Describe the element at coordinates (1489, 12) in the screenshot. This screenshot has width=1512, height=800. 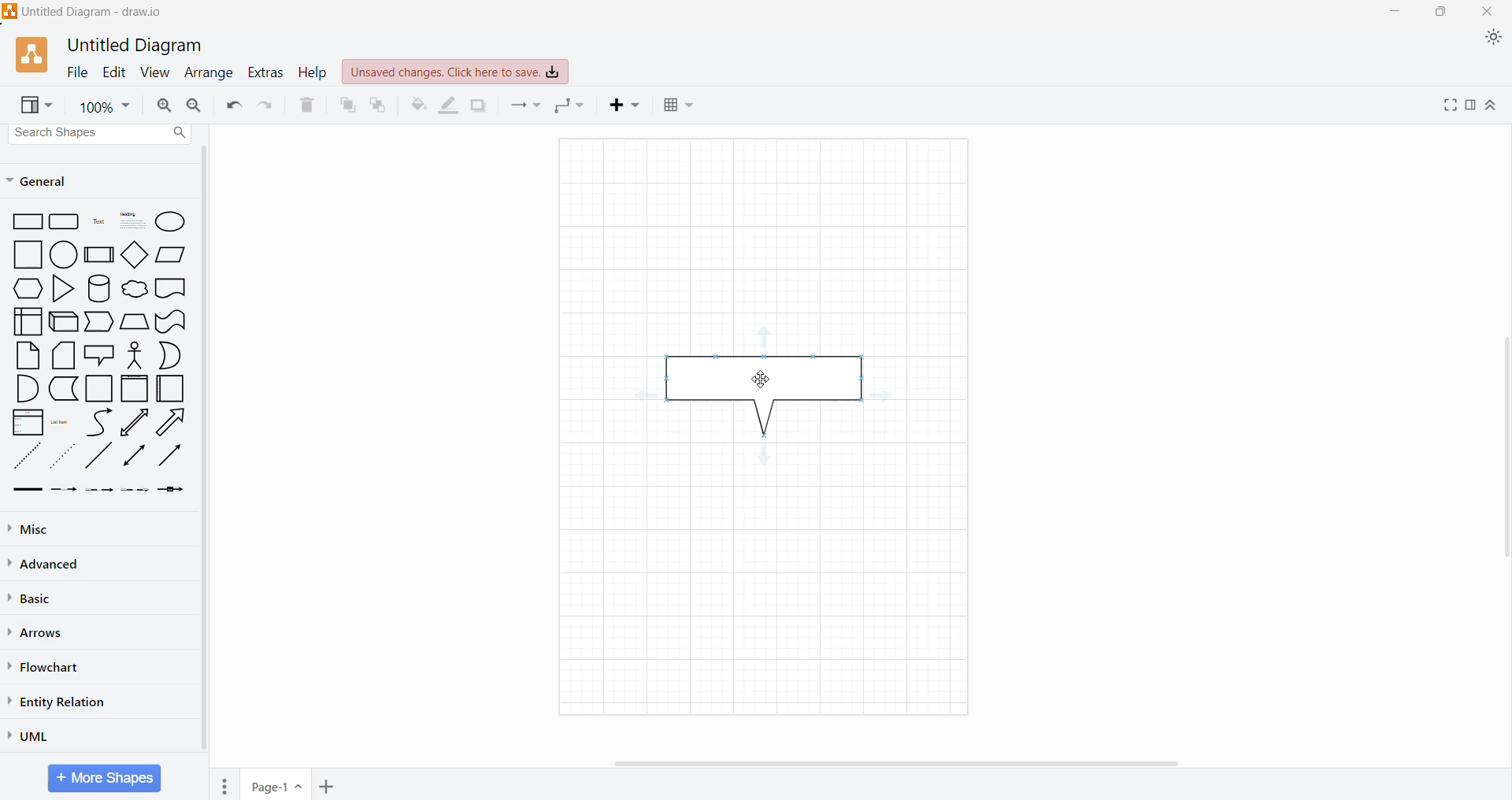
I see `Close` at that location.